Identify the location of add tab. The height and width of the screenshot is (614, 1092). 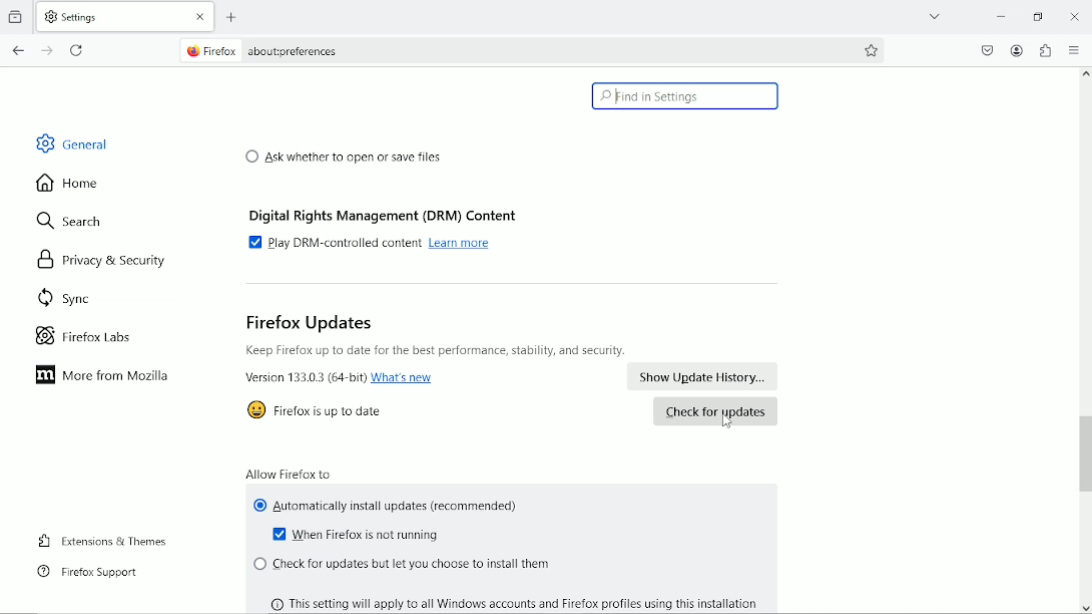
(238, 14).